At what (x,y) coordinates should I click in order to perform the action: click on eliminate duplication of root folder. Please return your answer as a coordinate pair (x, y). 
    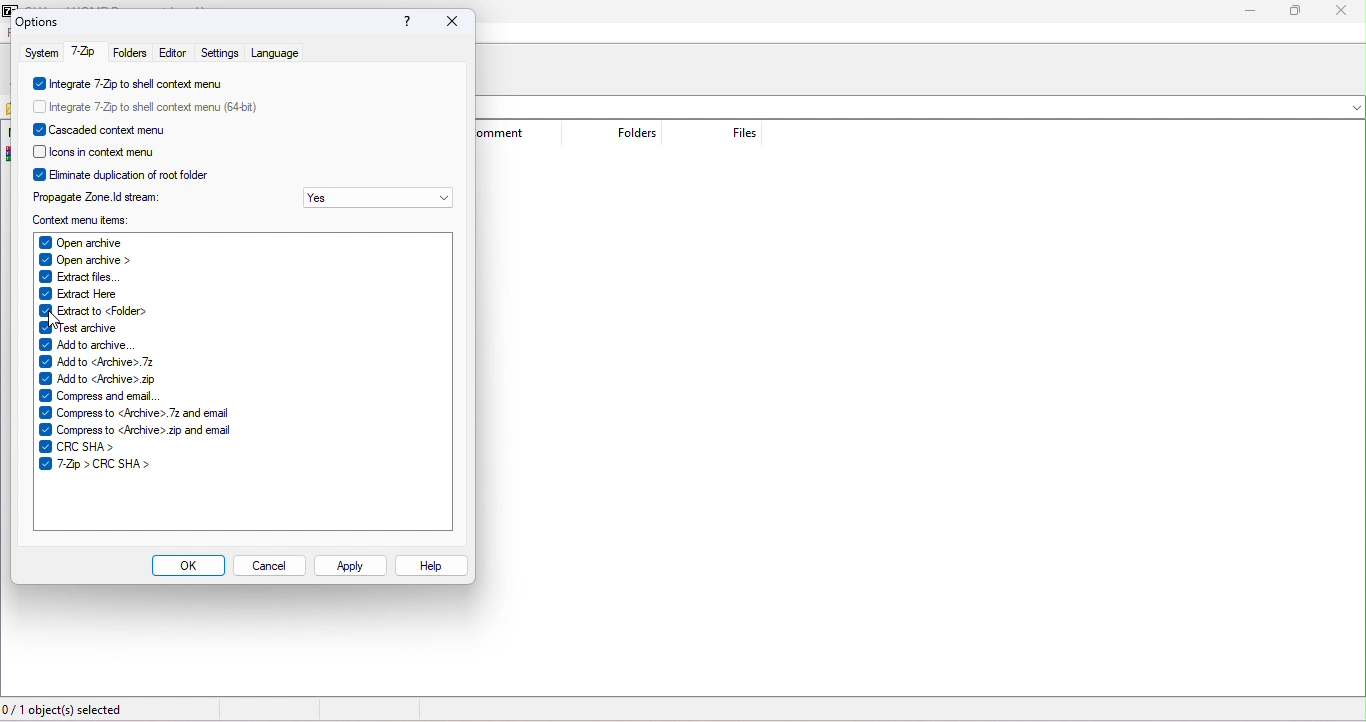
    Looking at the image, I should click on (127, 172).